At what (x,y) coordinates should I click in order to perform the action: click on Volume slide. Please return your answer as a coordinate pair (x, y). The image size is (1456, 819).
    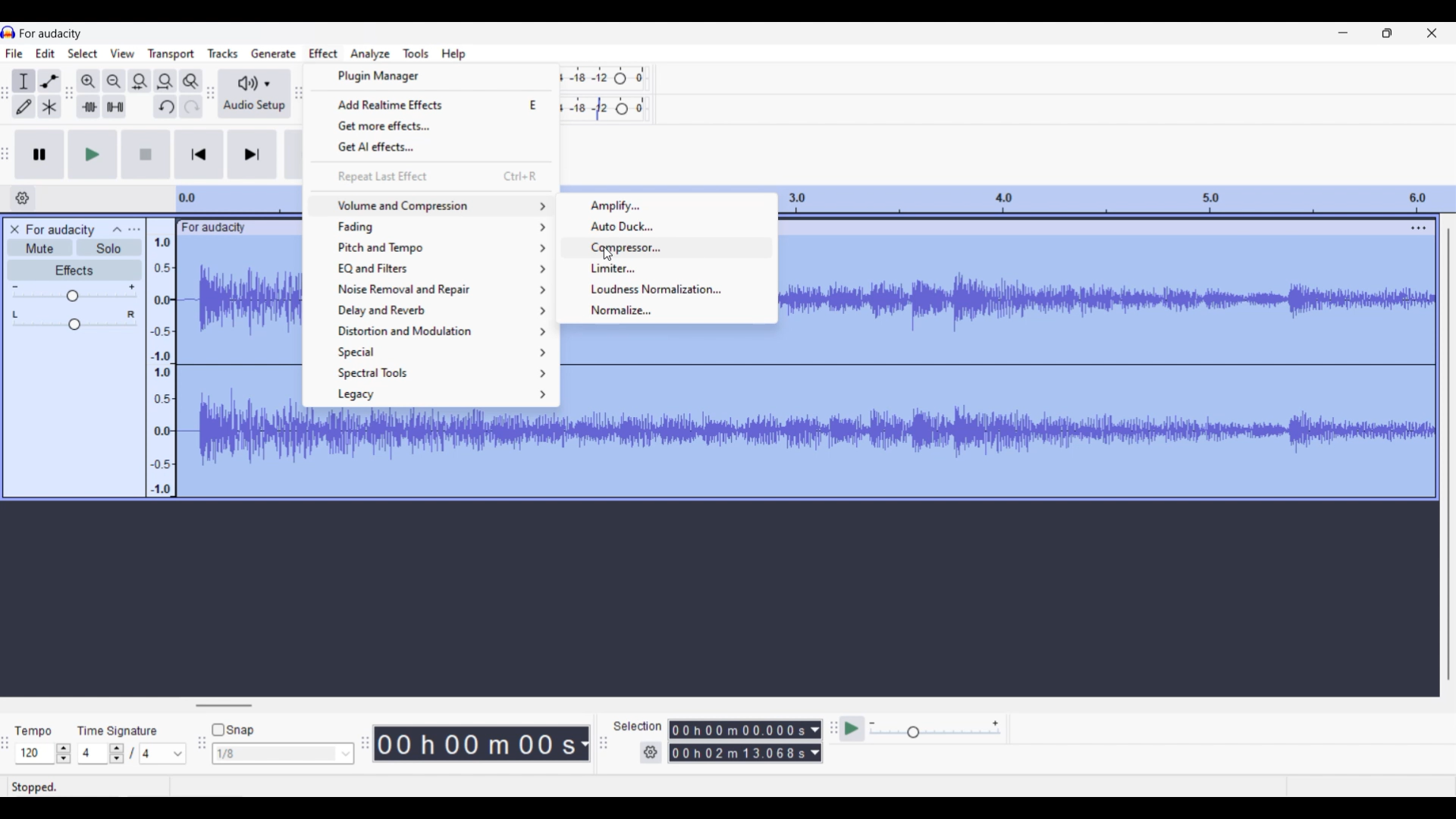
    Looking at the image, I should click on (74, 293).